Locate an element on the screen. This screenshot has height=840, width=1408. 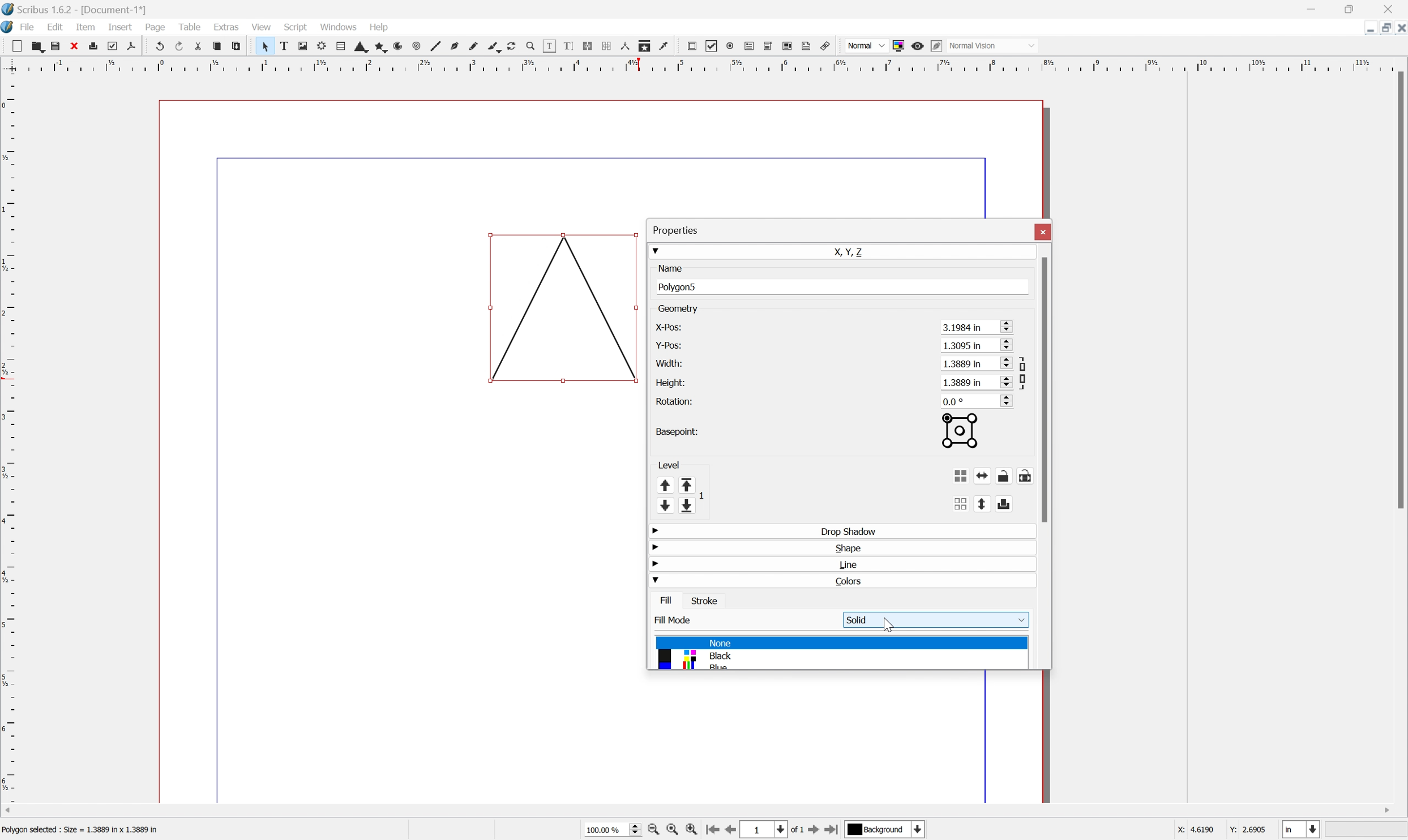
Zoom in by stepping values in Tools preferences is located at coordinates (691, 830).